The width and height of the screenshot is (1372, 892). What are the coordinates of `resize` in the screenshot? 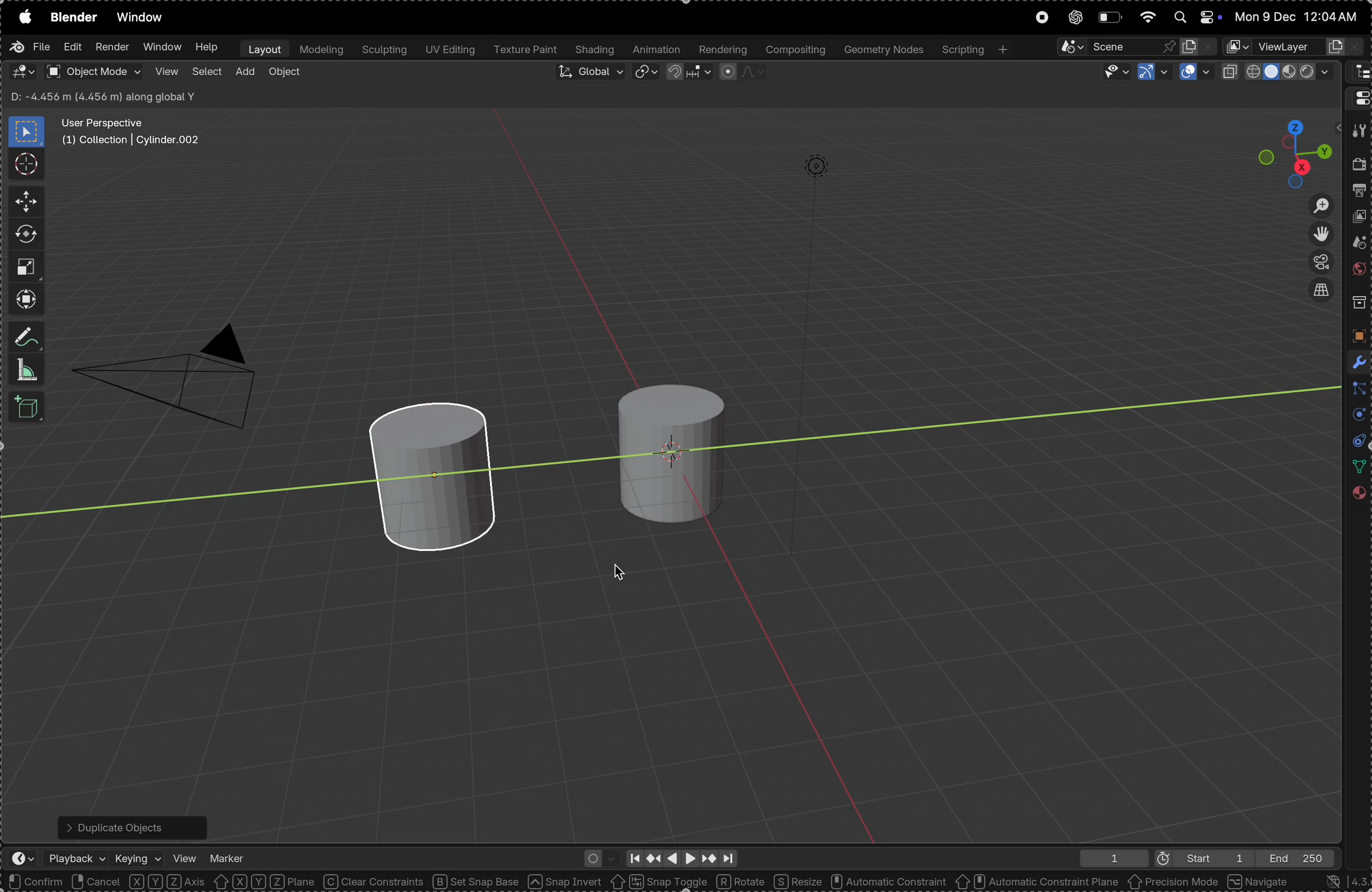 It's located at (797, 881).